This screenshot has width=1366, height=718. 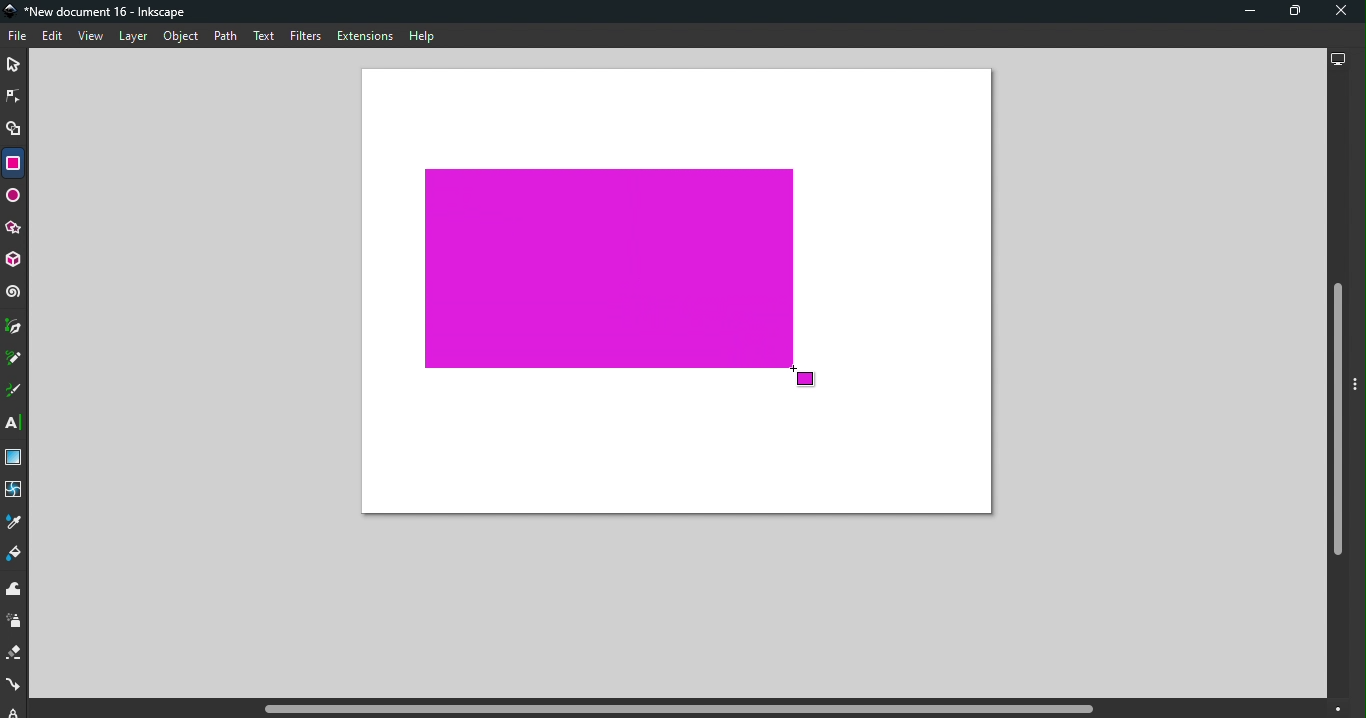 What do you see at coordinates (1341, 12) in the screenshot?
I see `Close` at bounding box center [1341, 12].